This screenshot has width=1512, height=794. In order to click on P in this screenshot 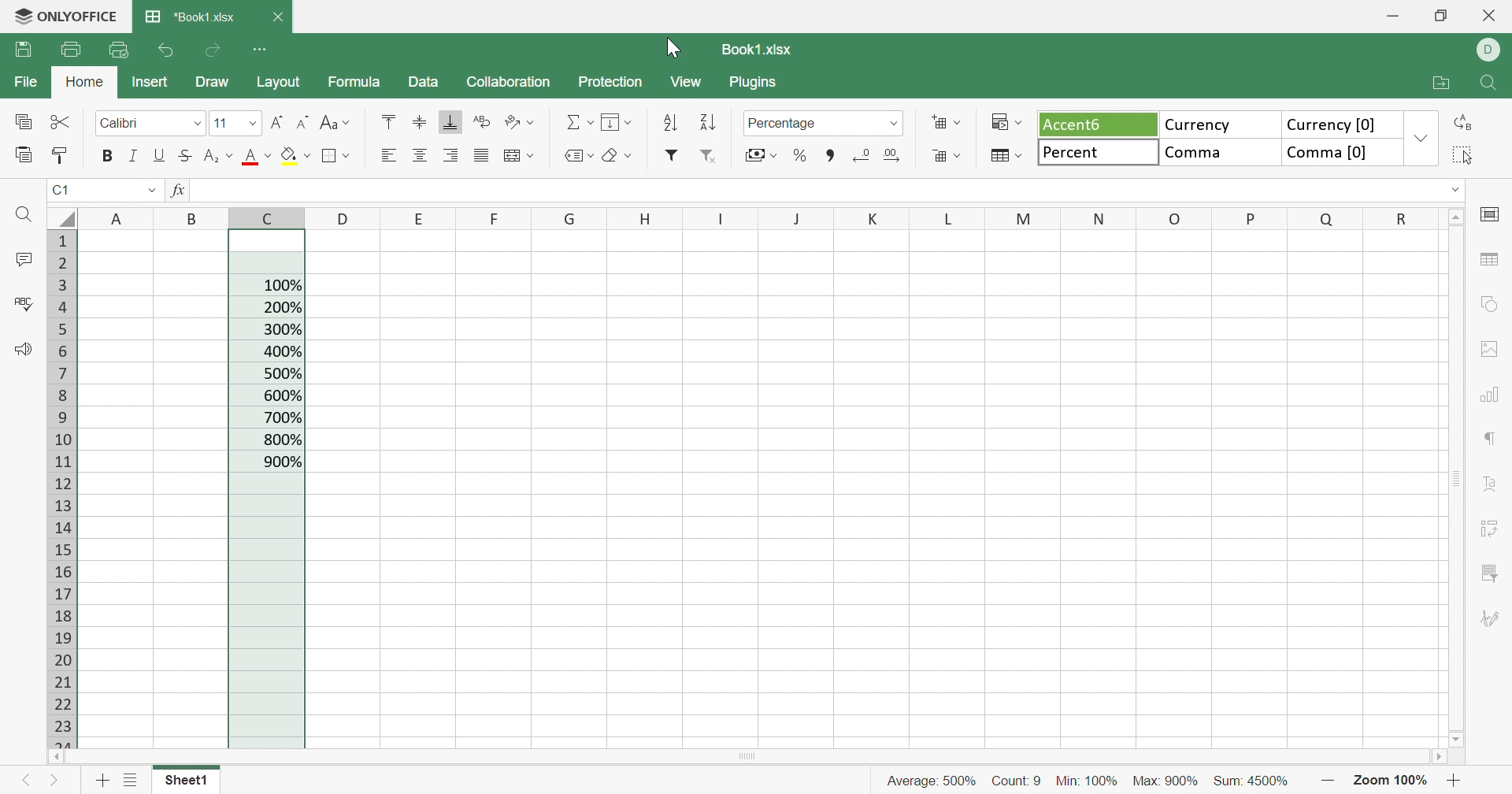, I will do `click(1249, 220)`.